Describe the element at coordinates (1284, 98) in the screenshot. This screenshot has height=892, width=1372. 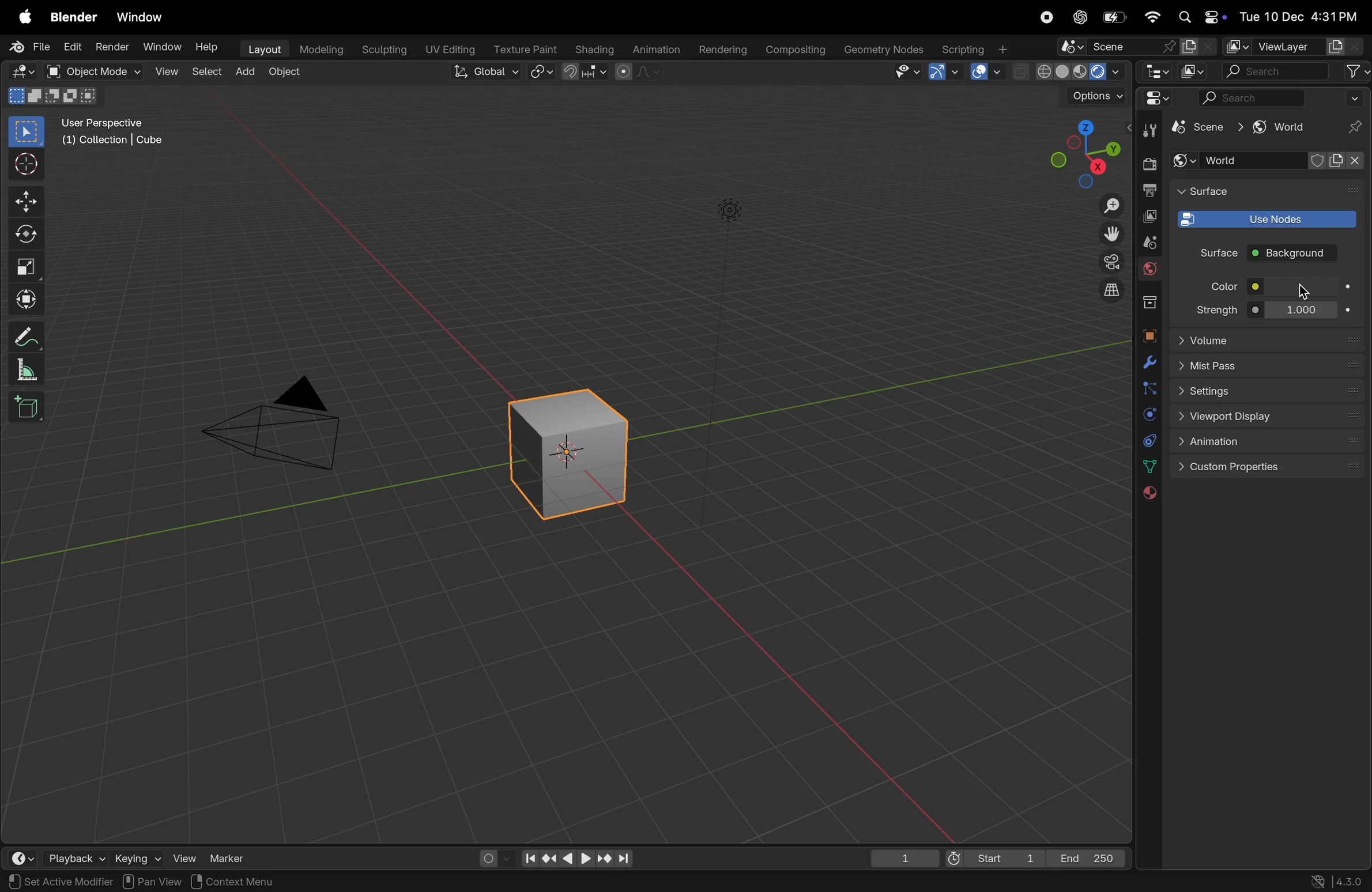
I see `` at that location.